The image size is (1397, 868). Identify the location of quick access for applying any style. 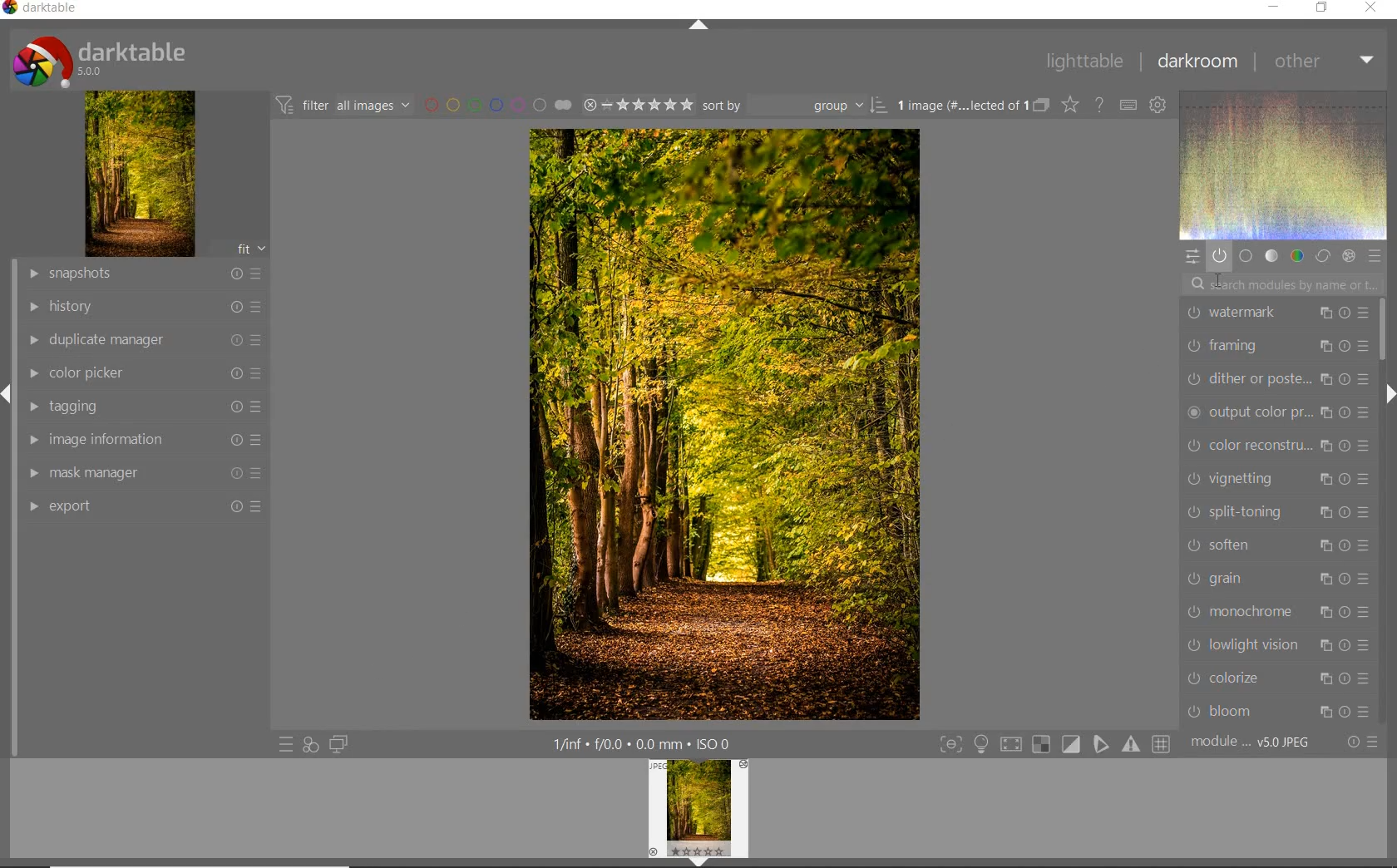
(311, 745).